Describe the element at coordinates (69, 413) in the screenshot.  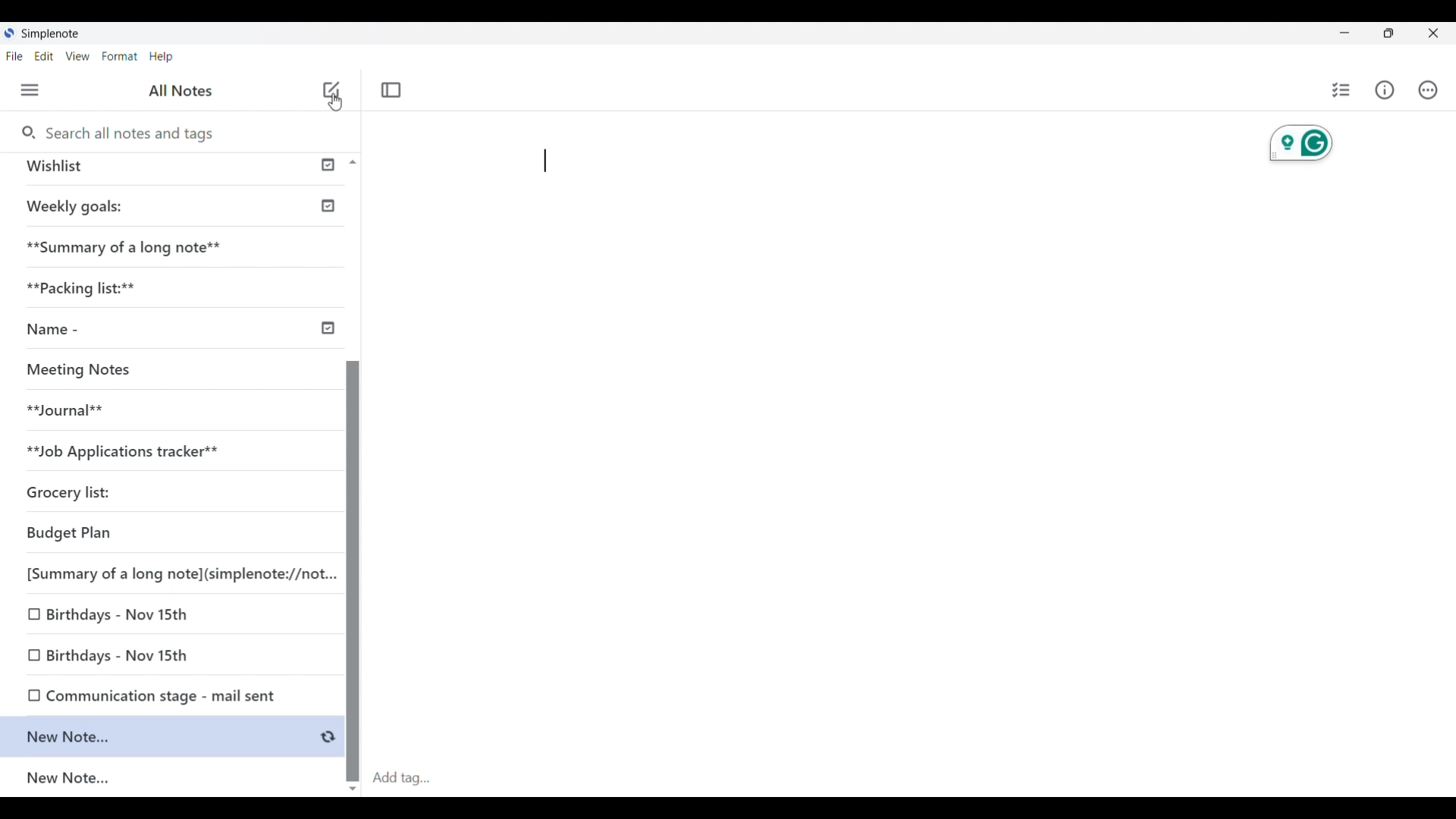
I see `**Journal**` at that location.